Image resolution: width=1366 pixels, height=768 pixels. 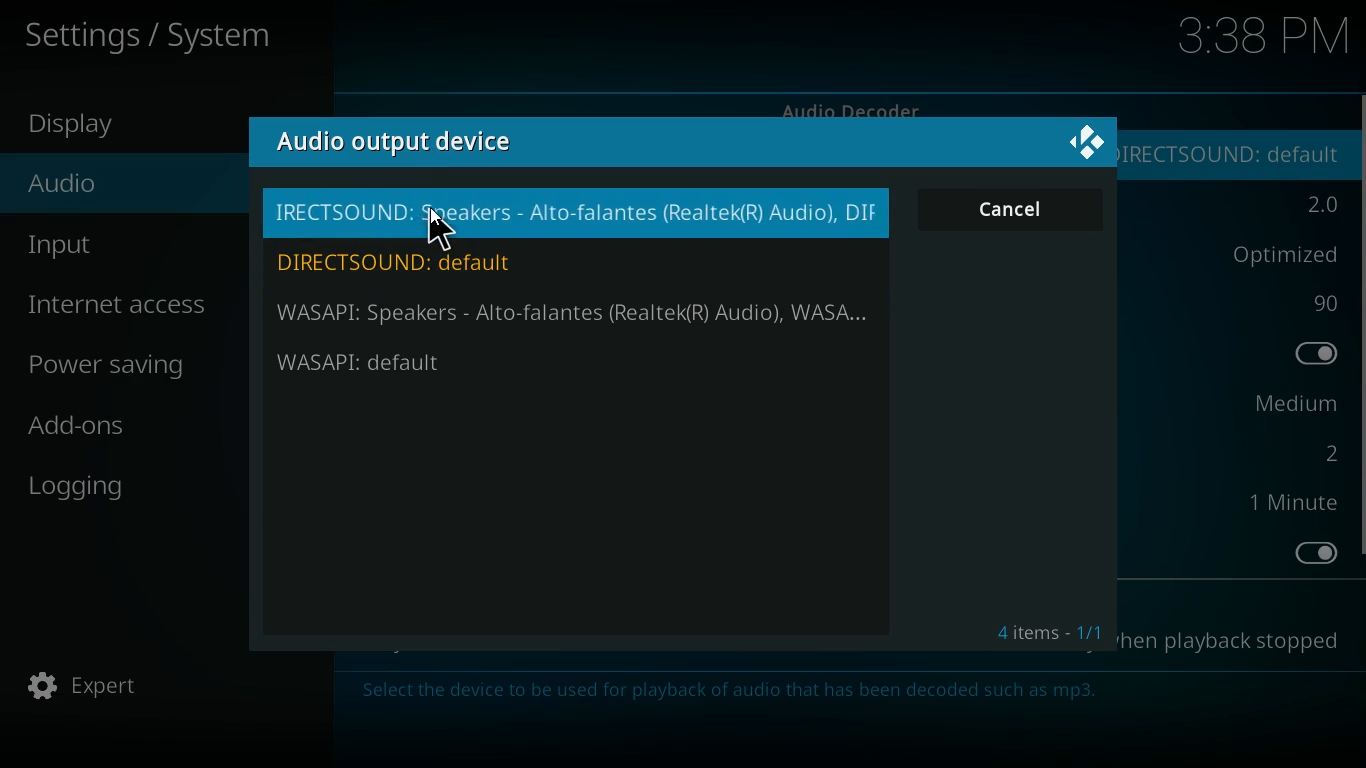 I want to click on cursor, so click(x=441, y=230).